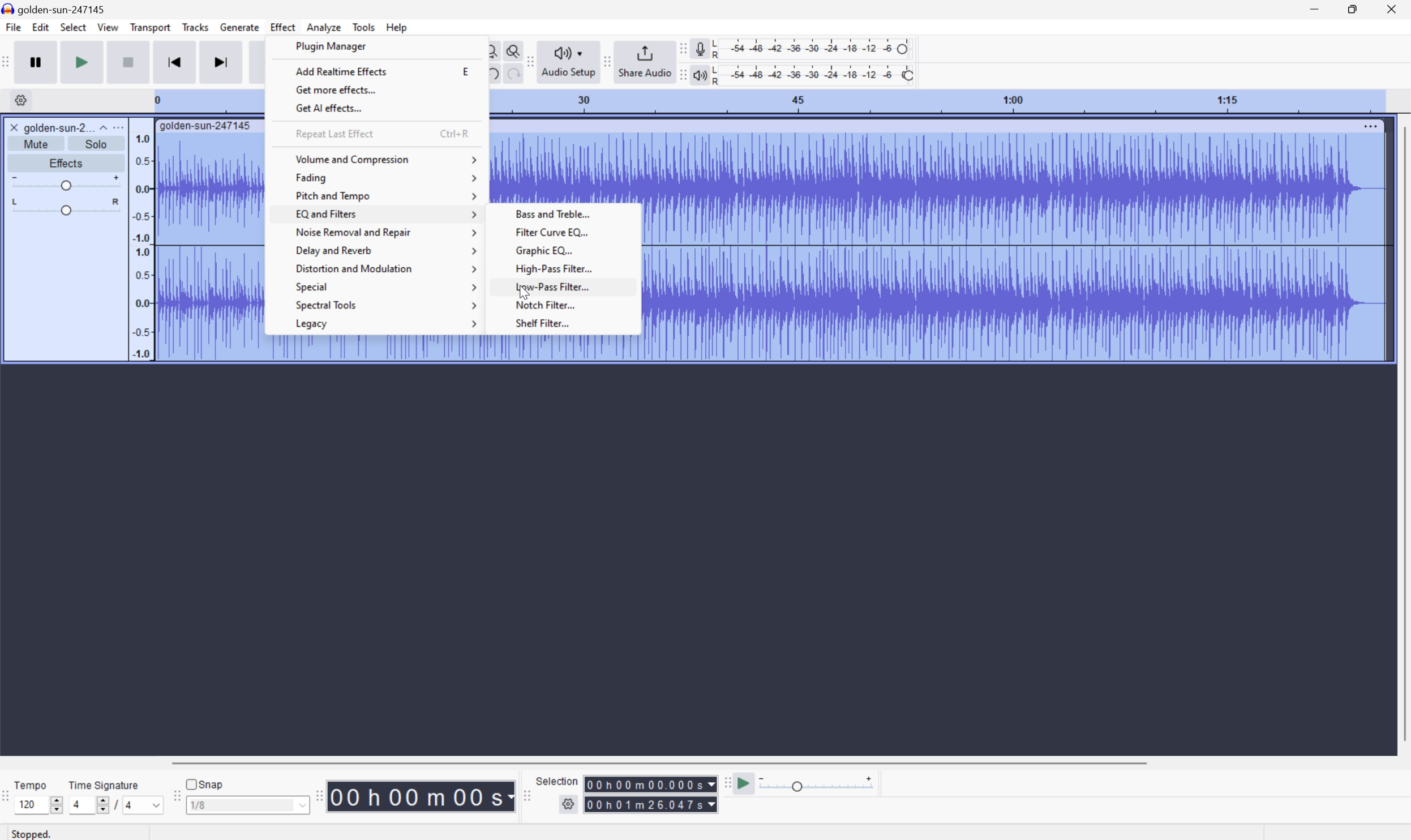  I want to click on Pitch and tempo, so click(385, 195).